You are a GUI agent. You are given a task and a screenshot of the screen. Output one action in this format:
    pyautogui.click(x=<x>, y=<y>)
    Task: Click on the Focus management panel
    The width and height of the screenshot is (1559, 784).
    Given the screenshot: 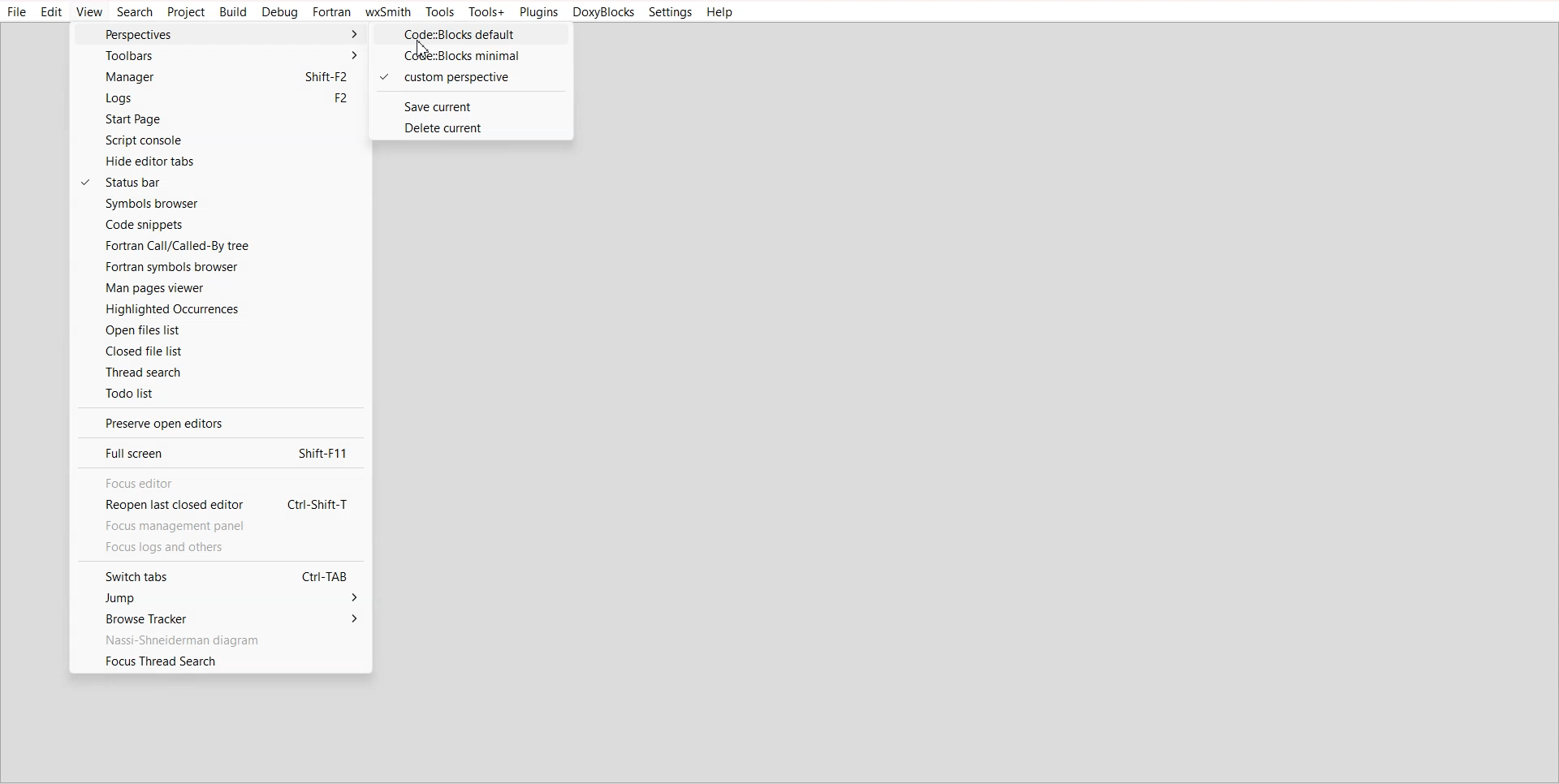 What is the action you would take?
    pyautogui.click(x=184, y=527)
    